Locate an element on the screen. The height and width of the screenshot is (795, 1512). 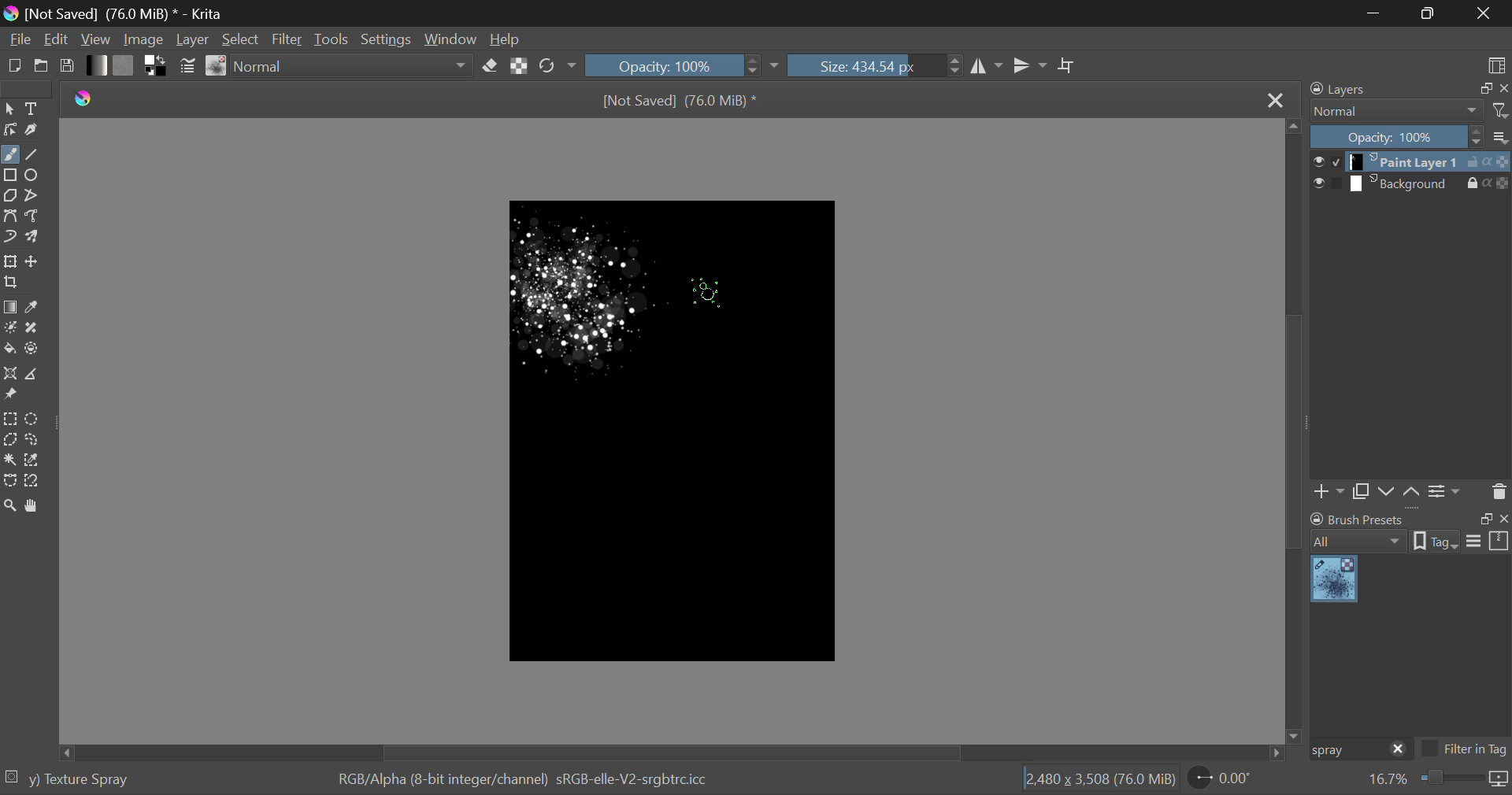
12,480 x 3,508 (69.2 MiB) is located at coordinates (1100, 778).